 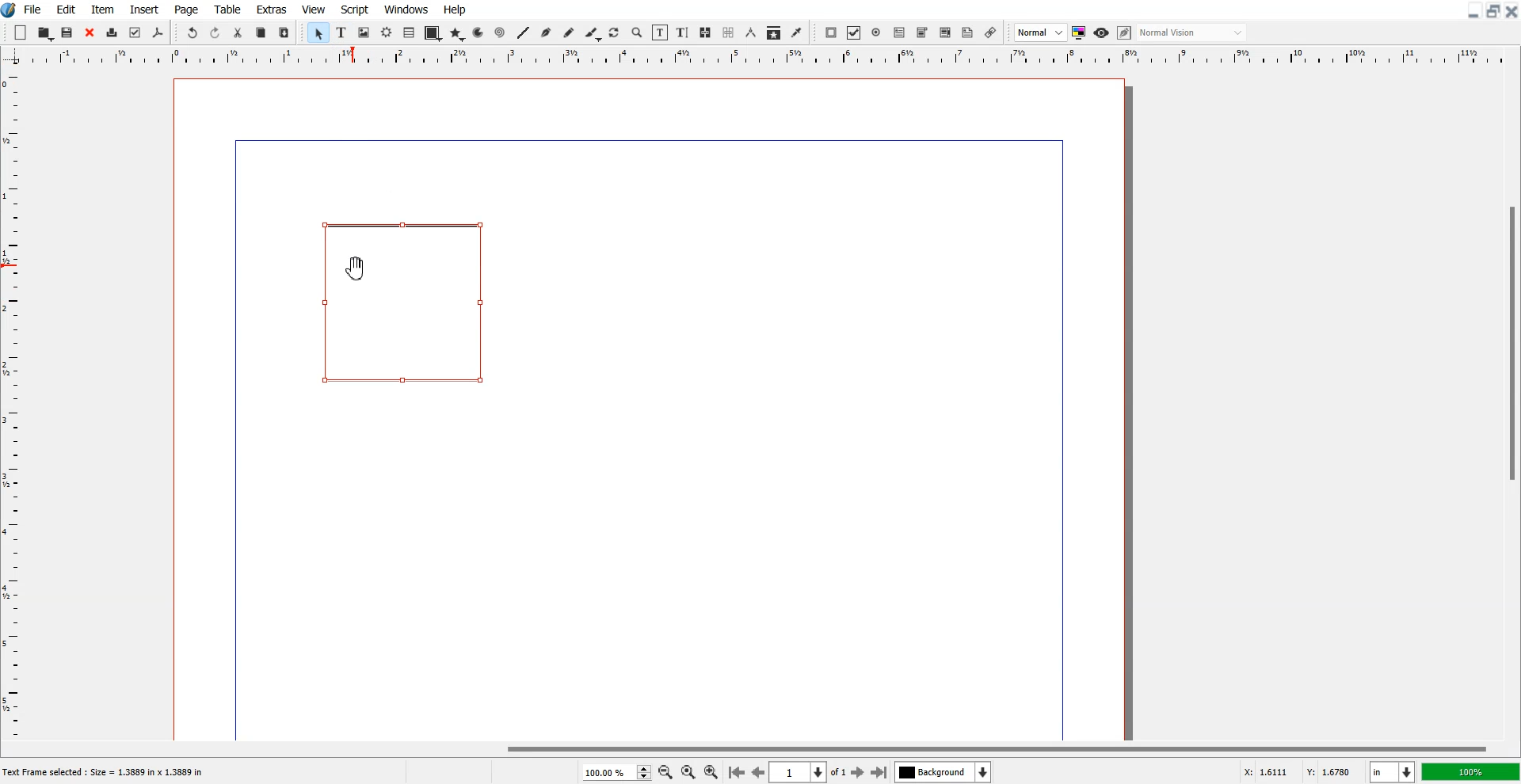 What do you see at coordinates (90, 33) in the screenshot?
I see `Close` at bounding box center [90, 33].